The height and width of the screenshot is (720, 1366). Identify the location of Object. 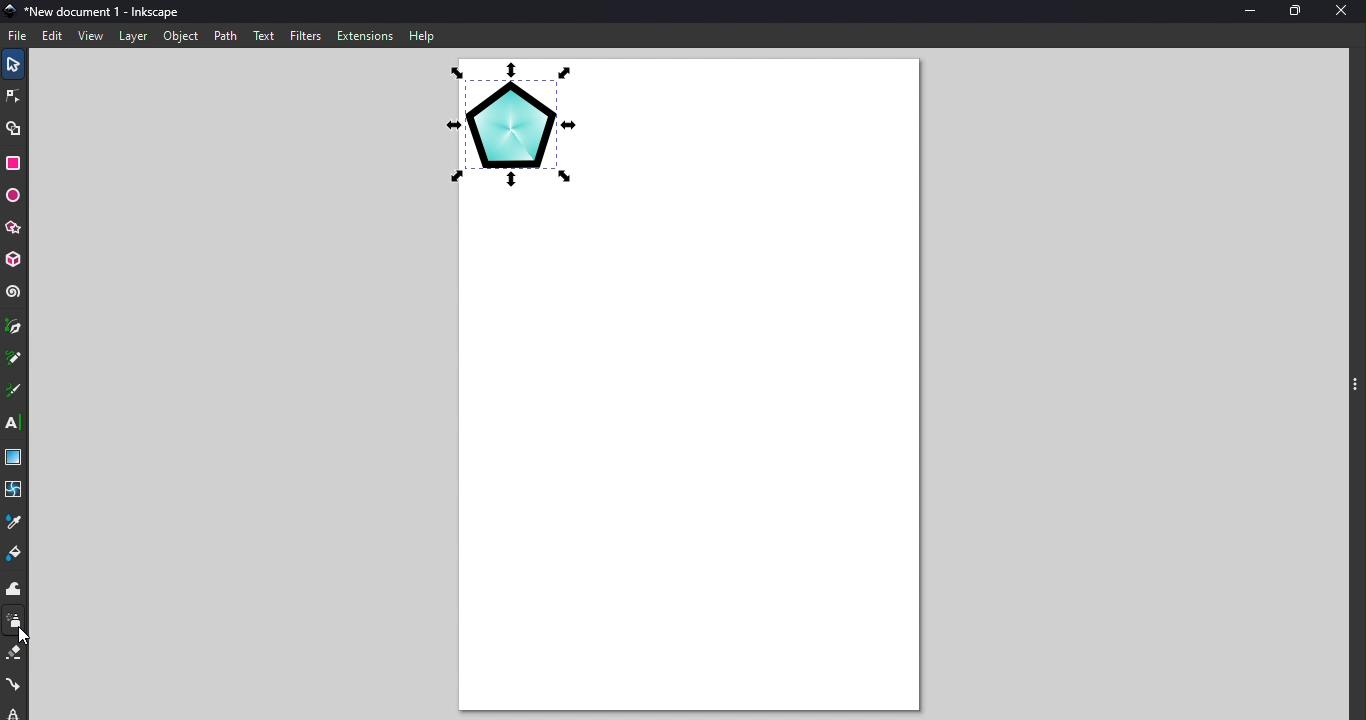
(182, 38).